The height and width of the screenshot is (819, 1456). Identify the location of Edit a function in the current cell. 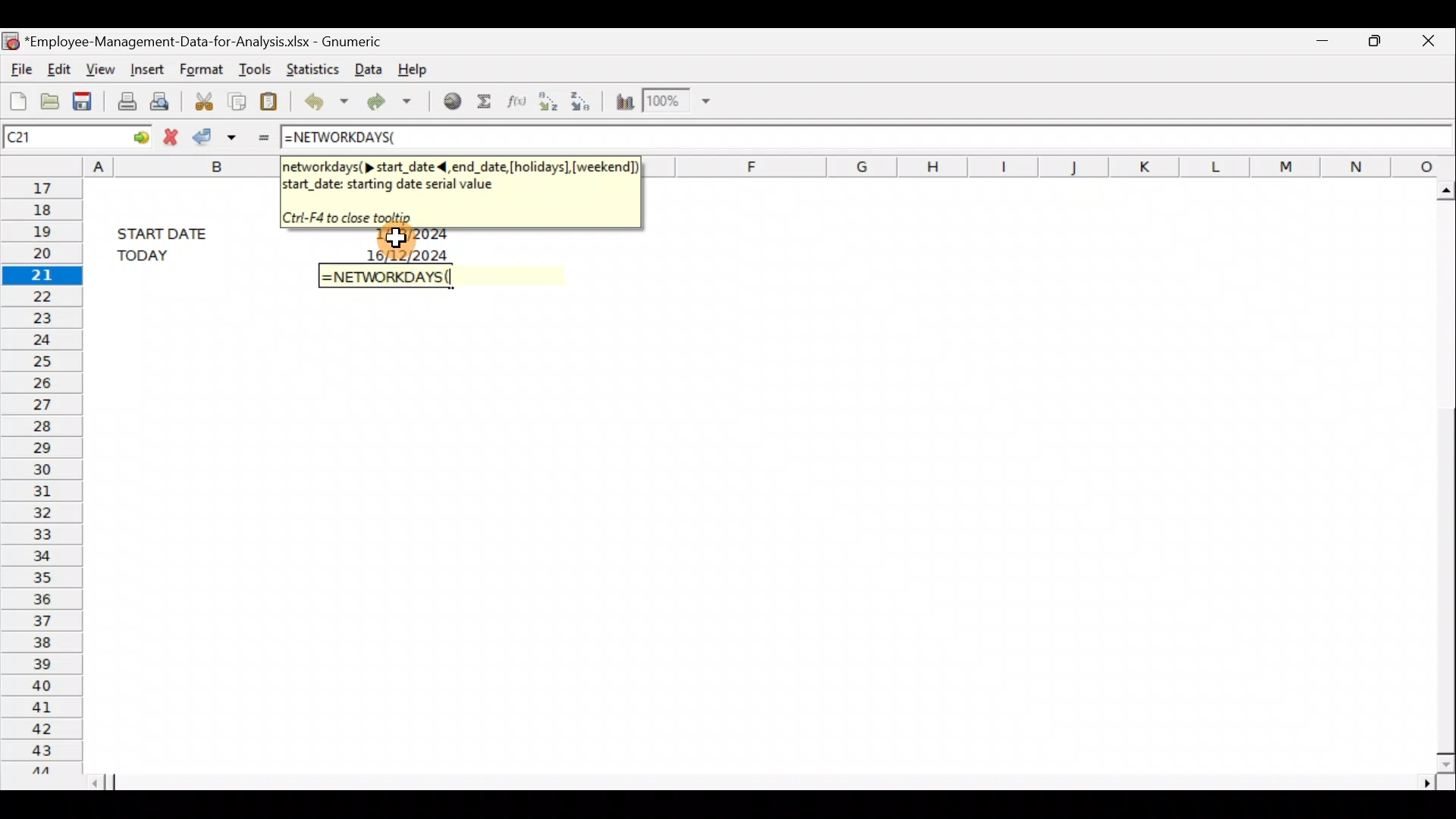
(514, 102).